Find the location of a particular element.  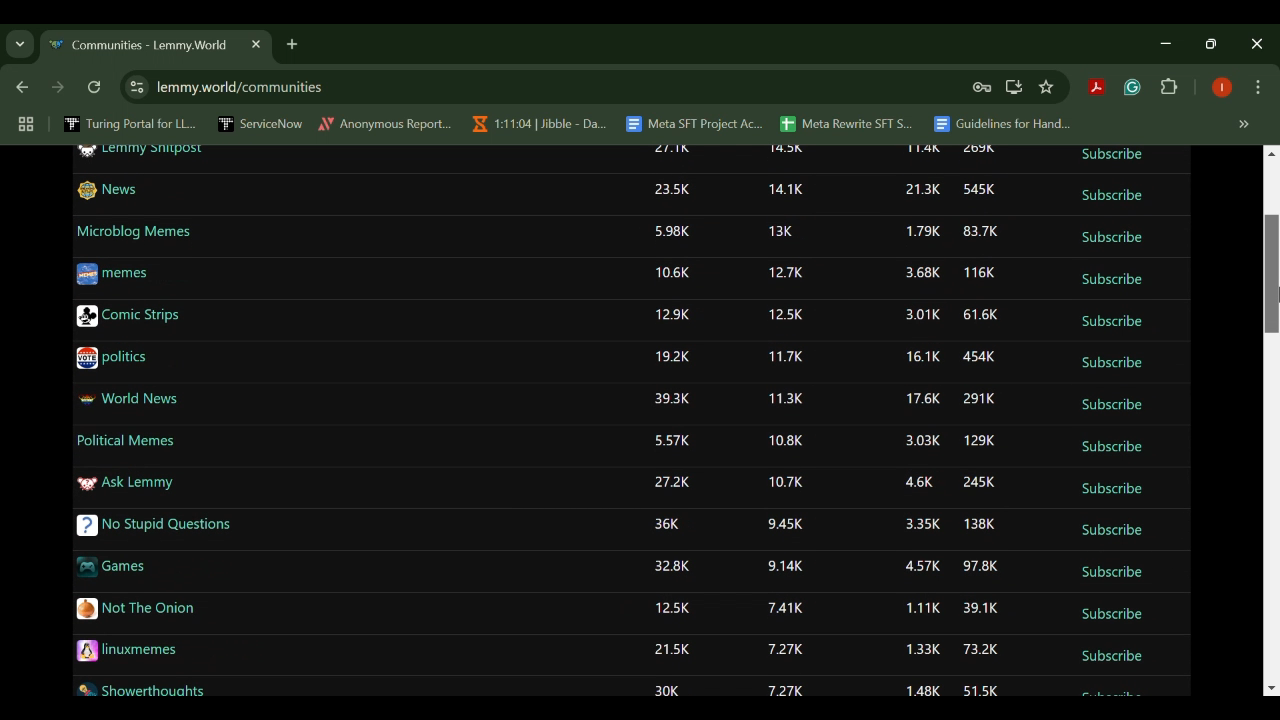

9.14K is located at coordinates (783, 566).